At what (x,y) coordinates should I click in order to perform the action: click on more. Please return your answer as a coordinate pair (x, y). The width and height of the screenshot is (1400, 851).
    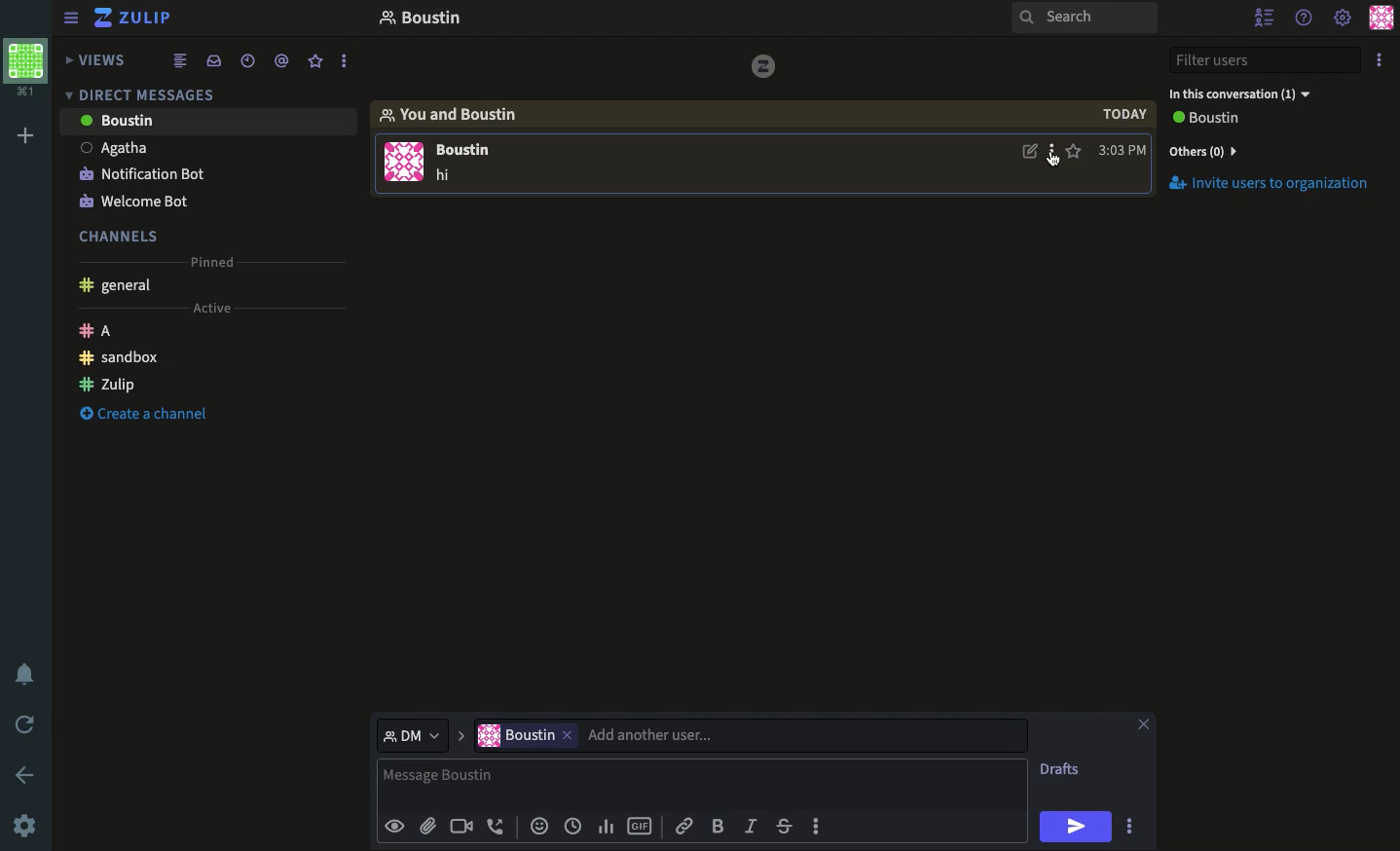
    Looking at the image, I should click on (346, 61).